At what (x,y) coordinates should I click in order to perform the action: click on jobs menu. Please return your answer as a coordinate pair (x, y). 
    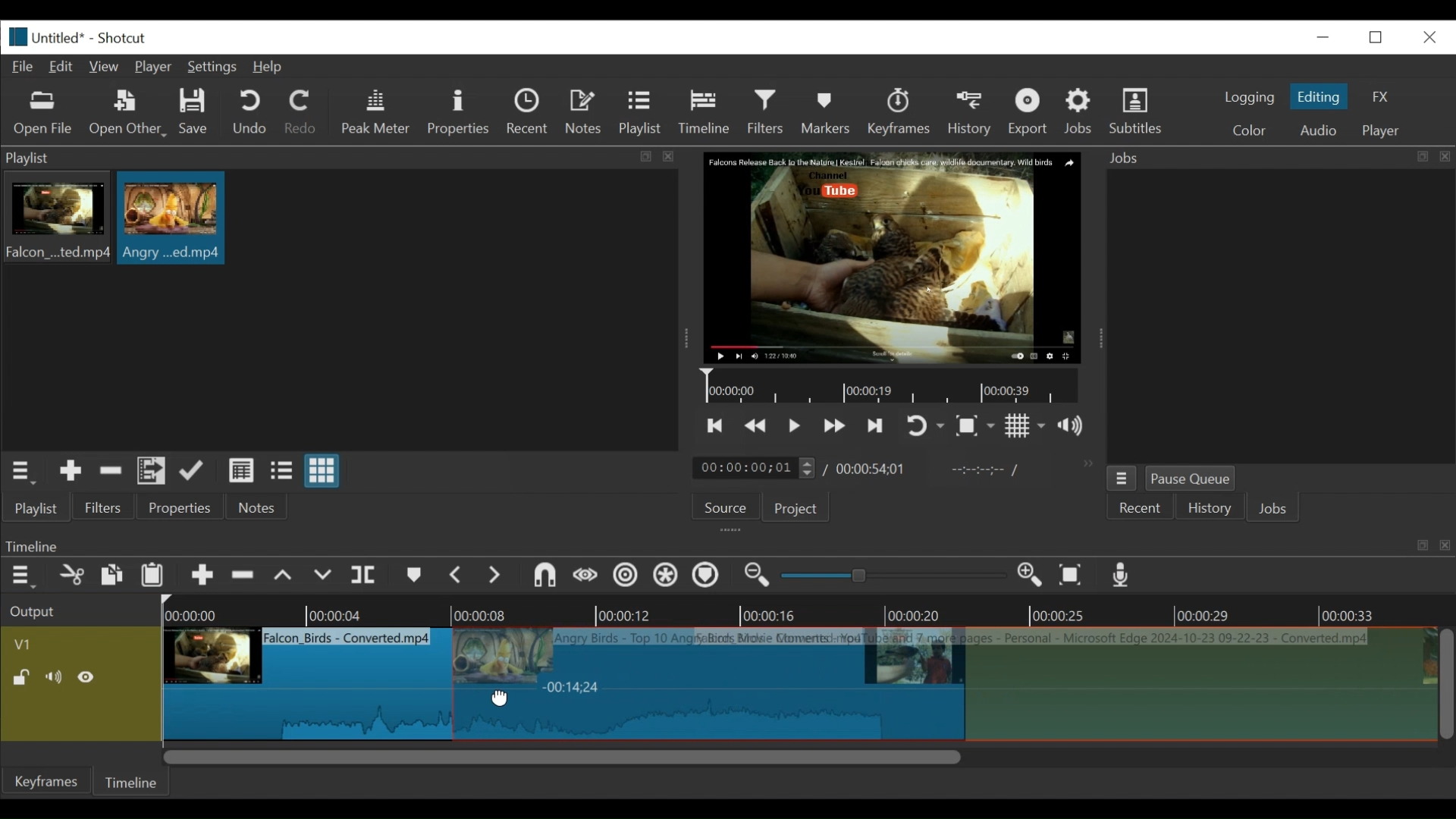
    Looking at the image, I should click on (1122, 476).